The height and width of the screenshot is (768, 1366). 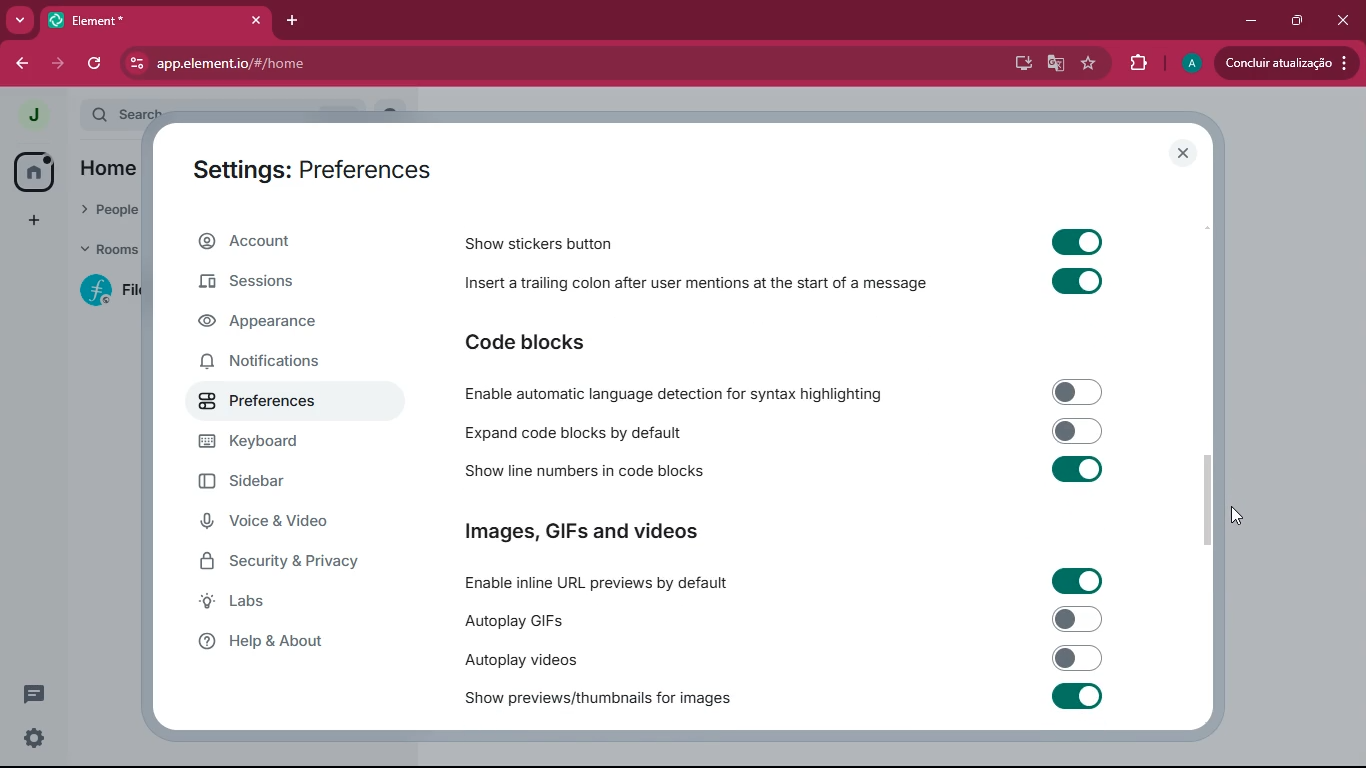 I want to click on forward, so click(x=61, y=64).